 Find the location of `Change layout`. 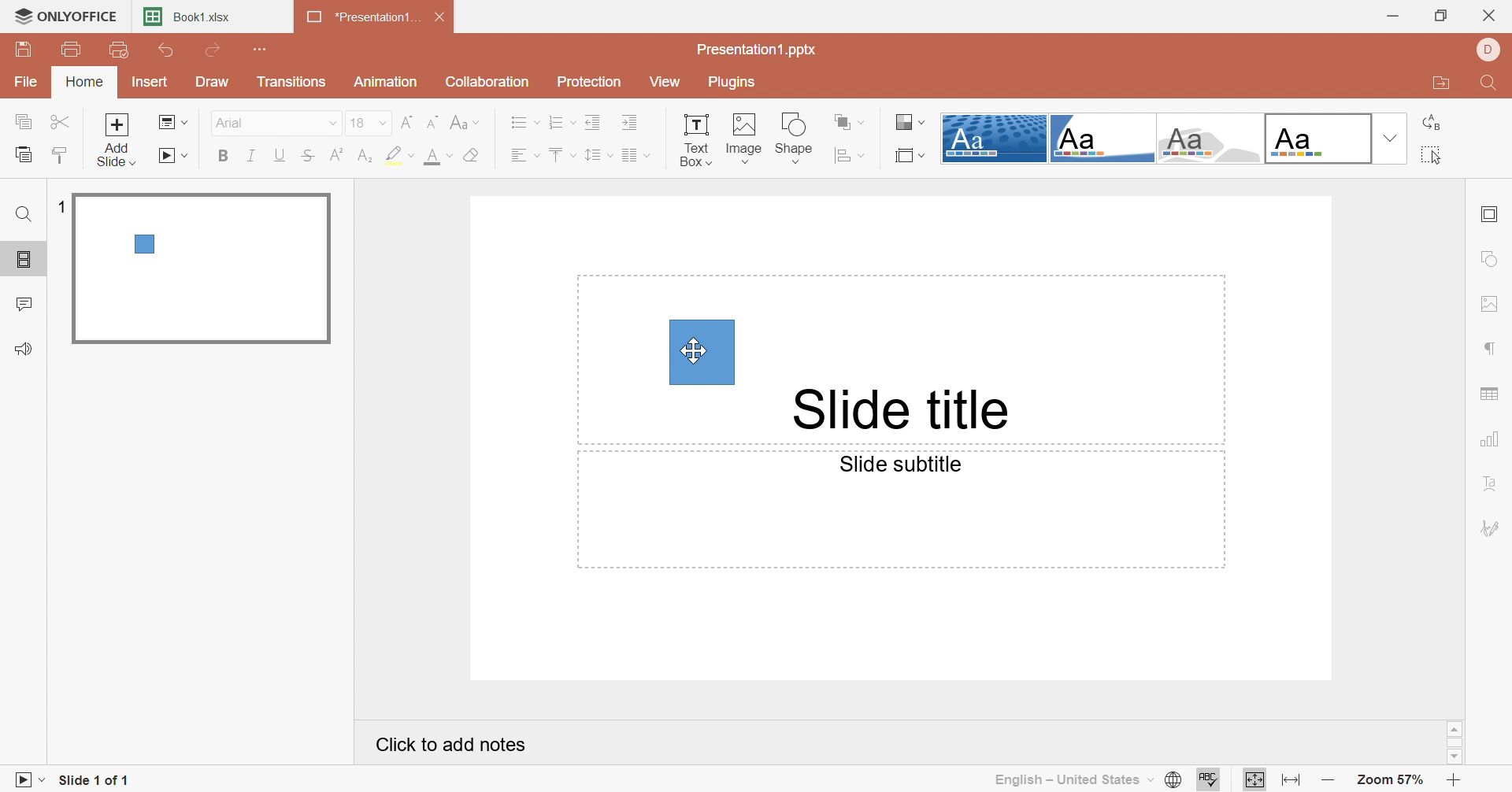

Change layout is located at coordinates (172, 123).